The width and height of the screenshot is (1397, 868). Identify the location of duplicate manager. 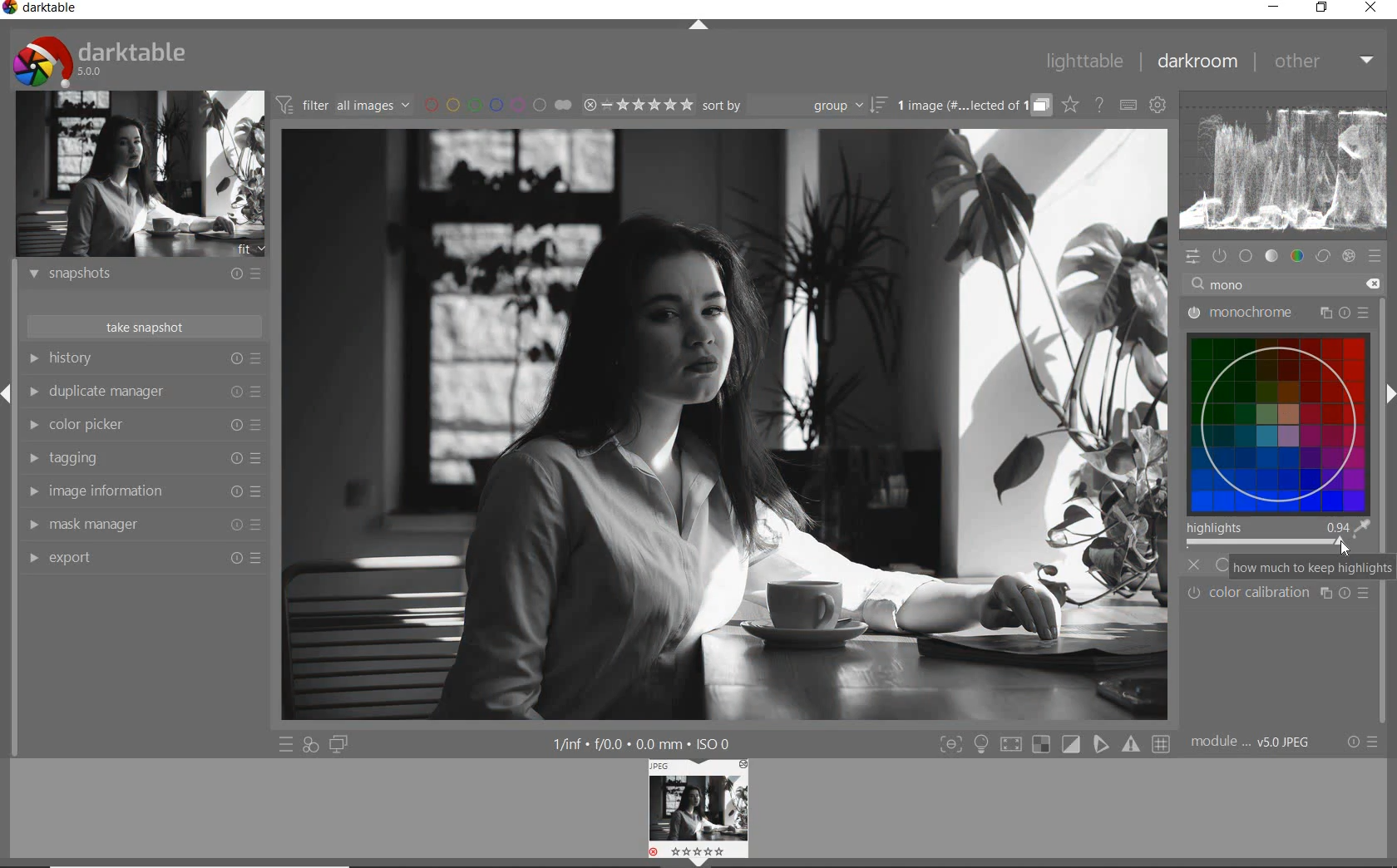
(144, 393).